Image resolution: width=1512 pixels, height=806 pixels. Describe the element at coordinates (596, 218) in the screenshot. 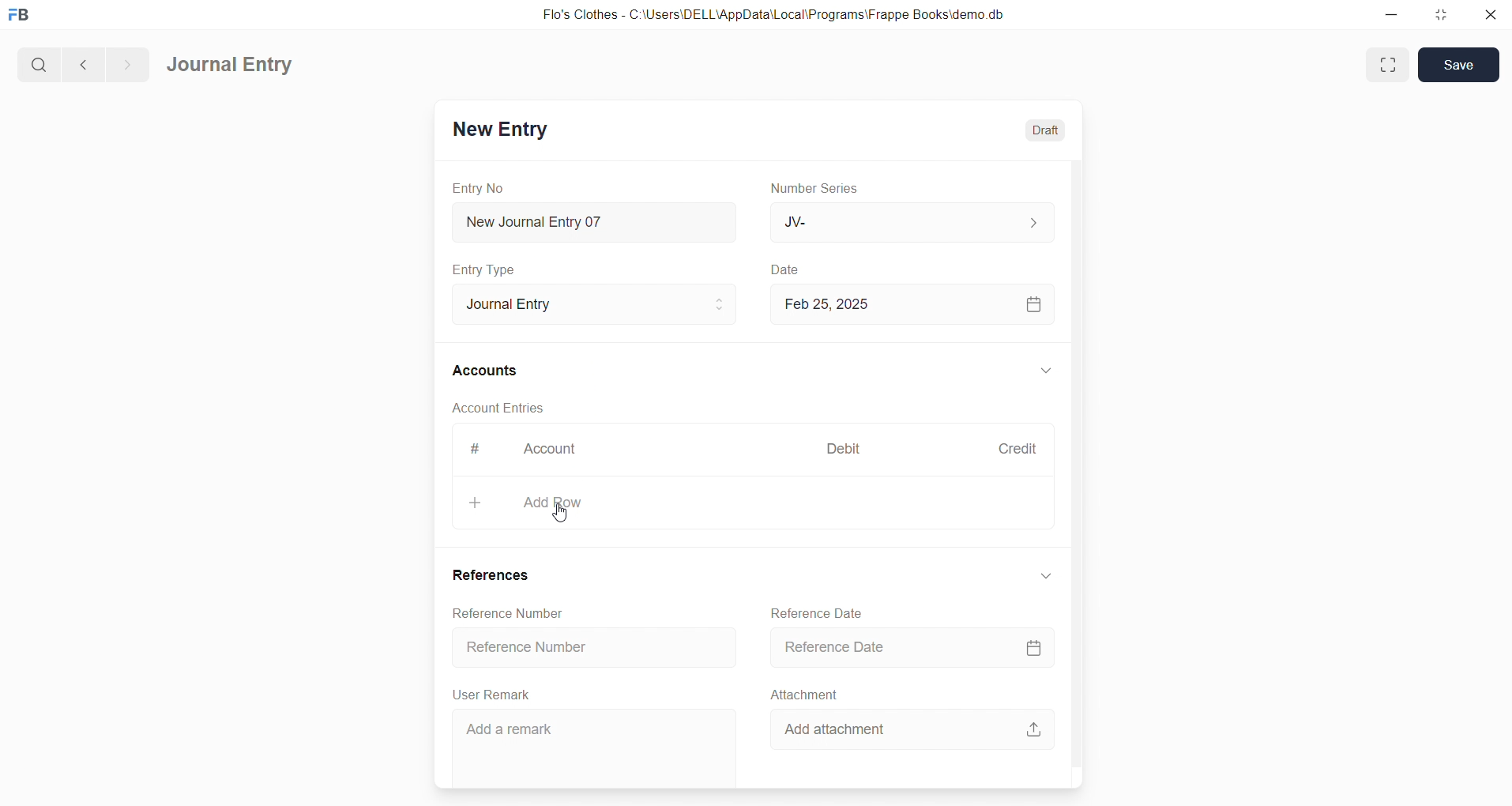

I see `New Journal Entry 07` at that location.